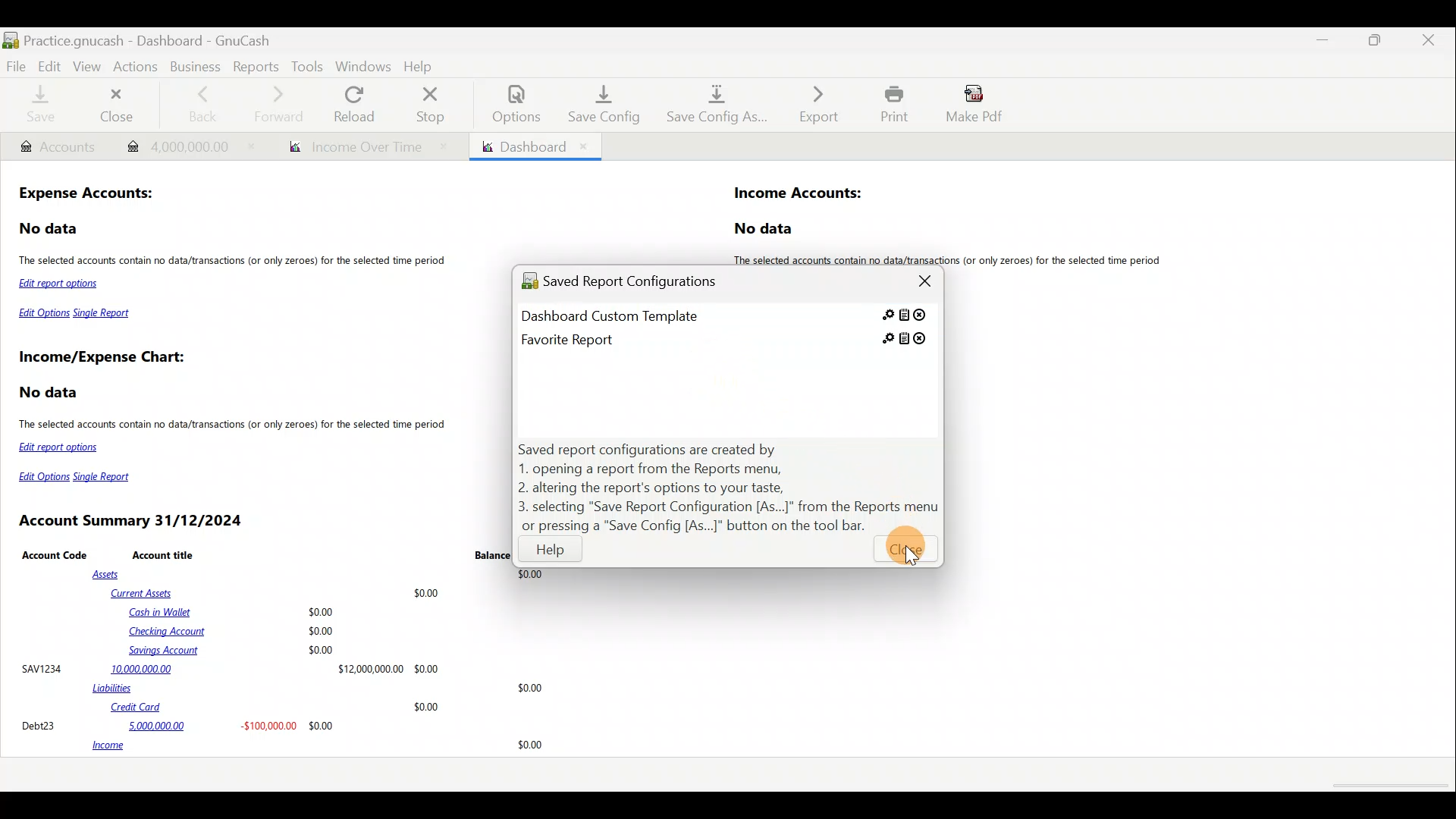 The height and width of the screenshot is (819, 1456). Describe the element at coordinates (51, 393) in the screenshot. I see `No data` at that location.